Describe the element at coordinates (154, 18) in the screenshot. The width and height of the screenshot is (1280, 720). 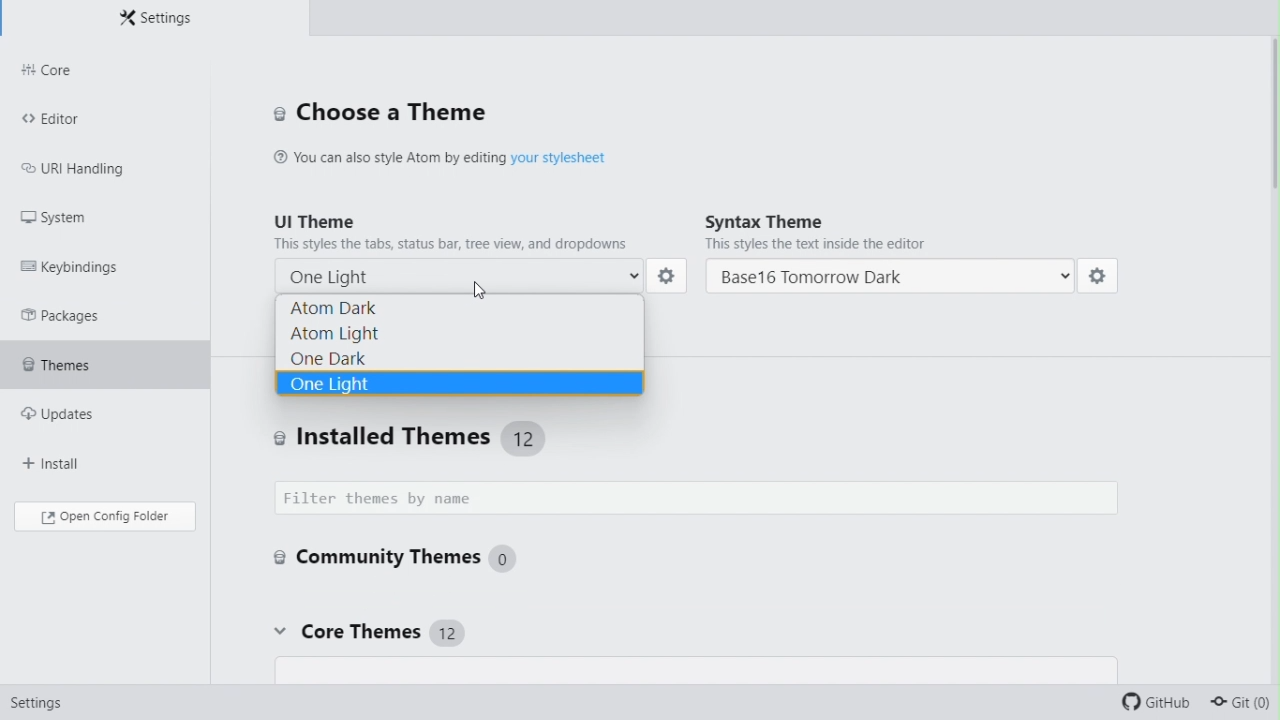
I see `Settings` at that location.